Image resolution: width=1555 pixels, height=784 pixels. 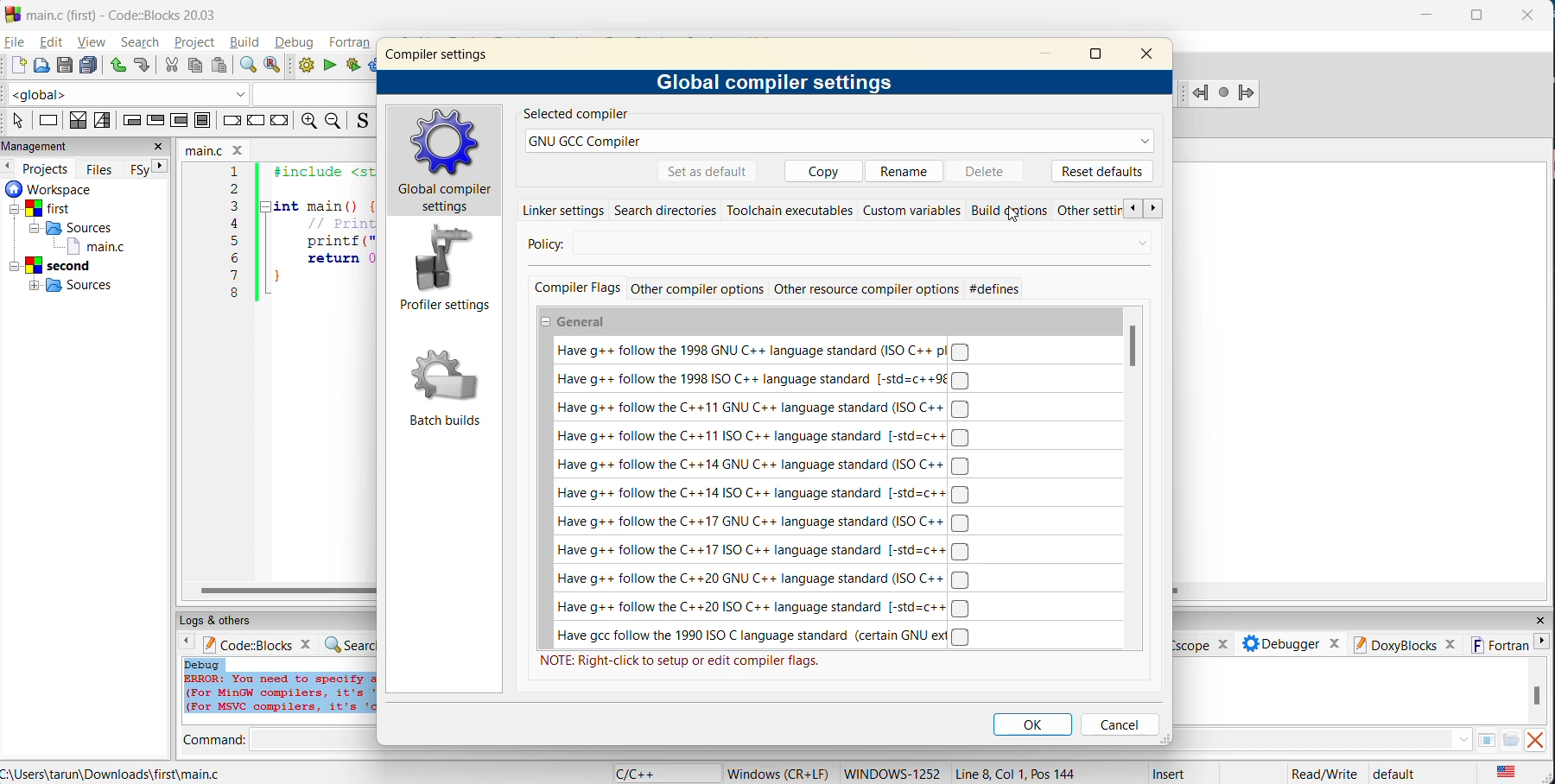 What do you see at coordinates (76, 122) in the screenshot?
I see `decision` at bounding box center [76, 122].